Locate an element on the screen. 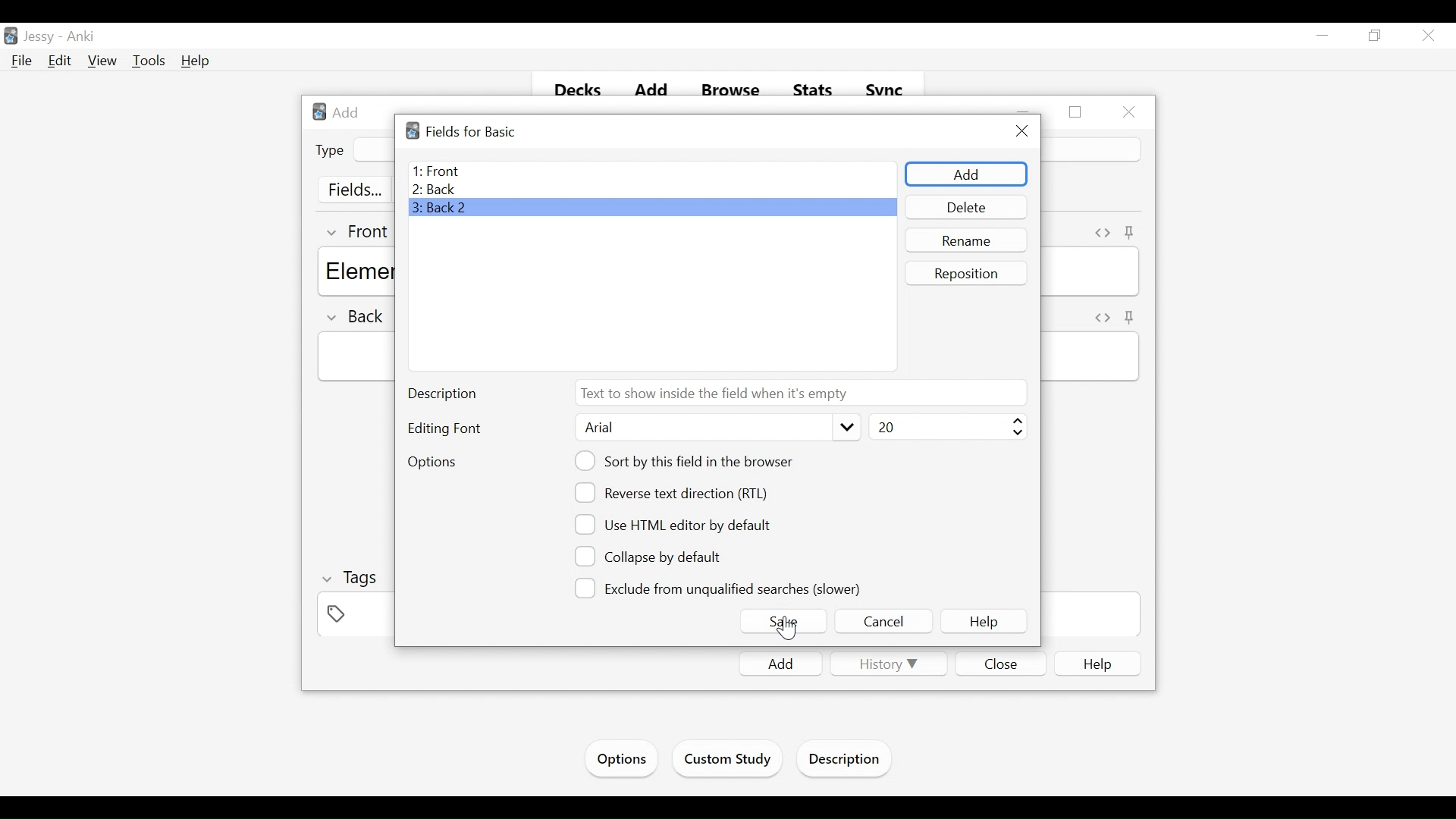  Add is located at coordinates (968, 174).